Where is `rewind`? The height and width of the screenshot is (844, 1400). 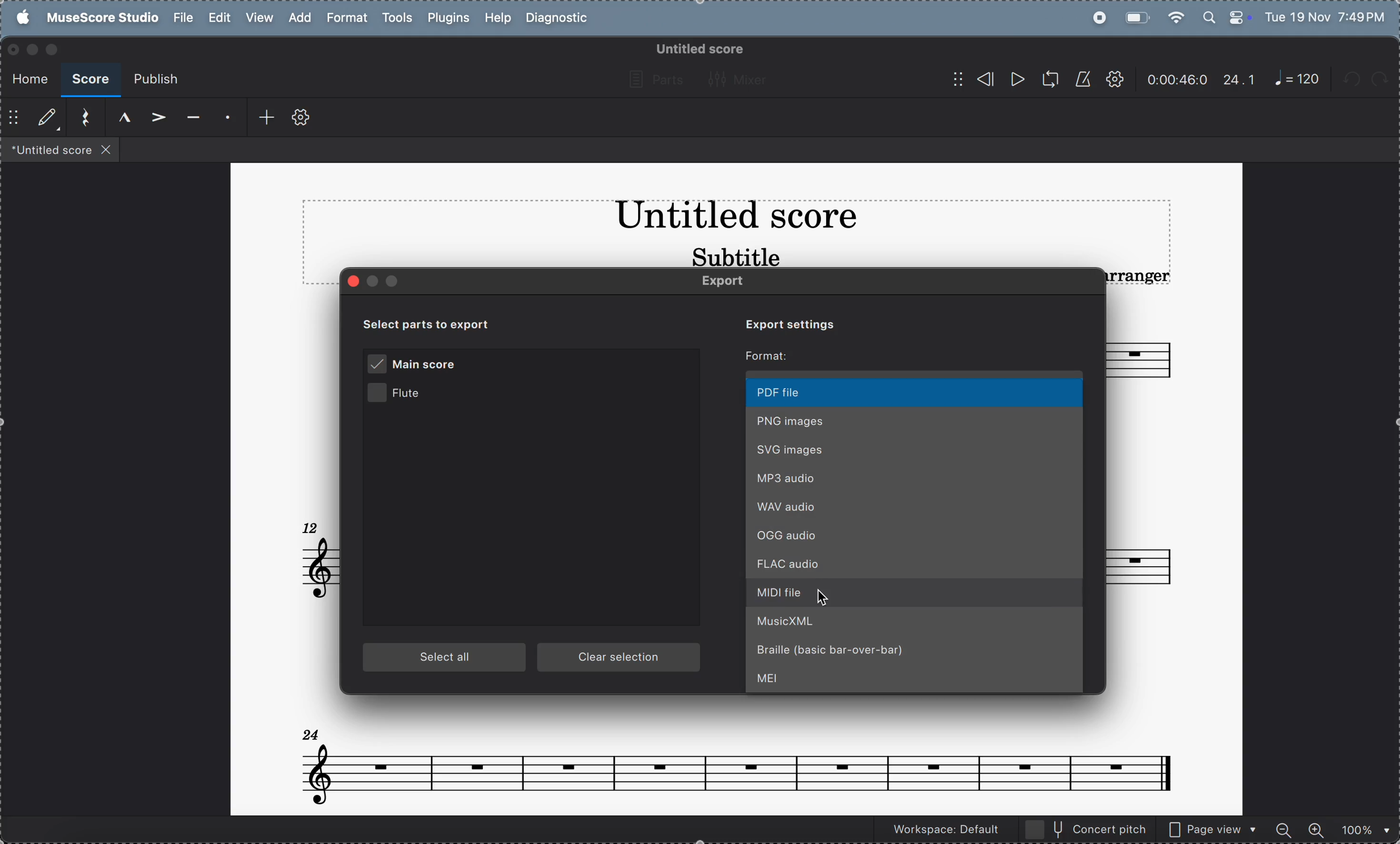 rewind is located at coordinates (972, 79).